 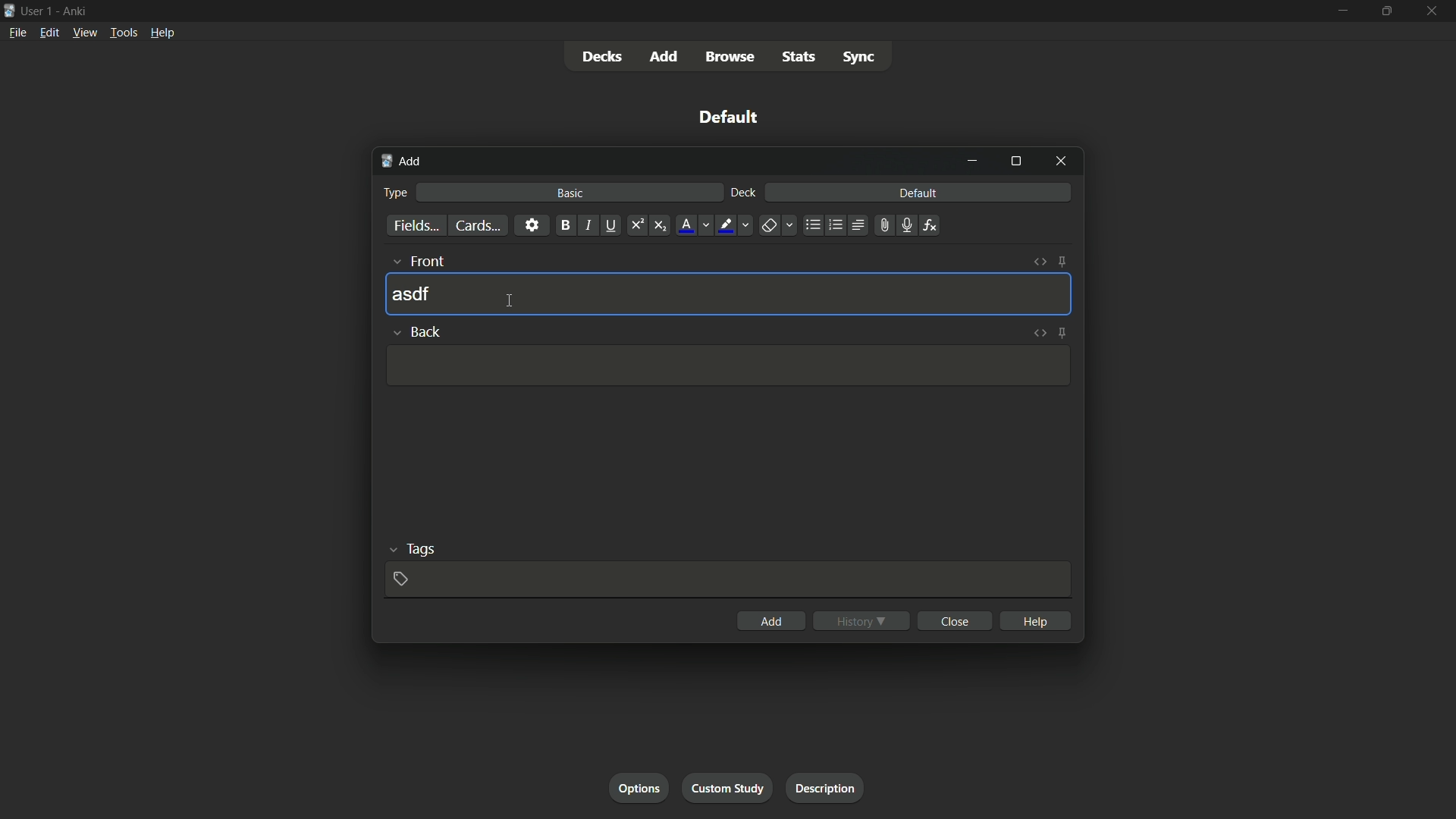 What do you see at coordinates (955, 620) in the screenshot?
I see `close` at bounding box center [955, 620].